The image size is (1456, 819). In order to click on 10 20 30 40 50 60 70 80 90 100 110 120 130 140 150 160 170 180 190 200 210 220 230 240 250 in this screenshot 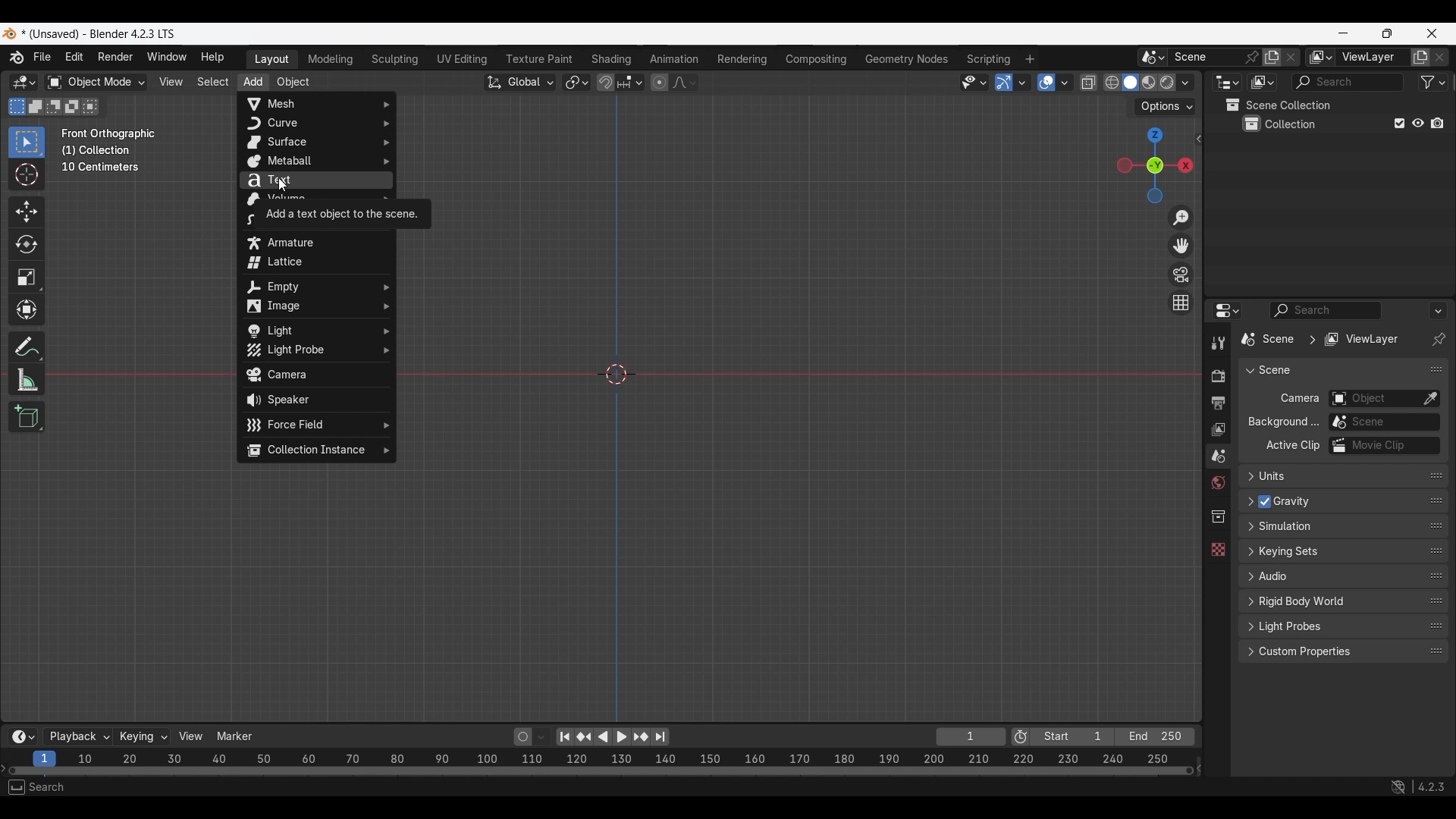, I will do `click(627, 757)`.